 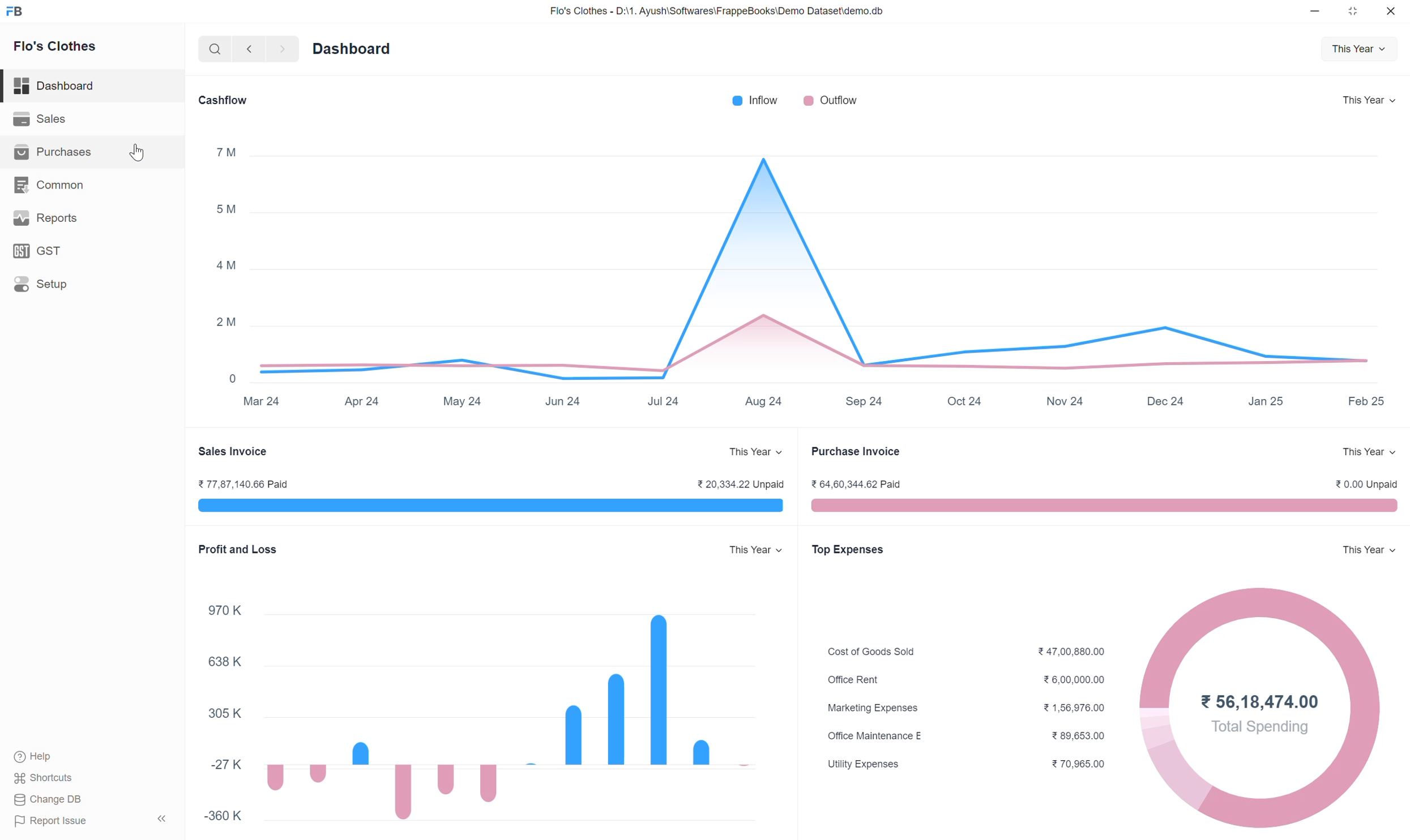 I want to click on May 24, so click(x=462, y=401).